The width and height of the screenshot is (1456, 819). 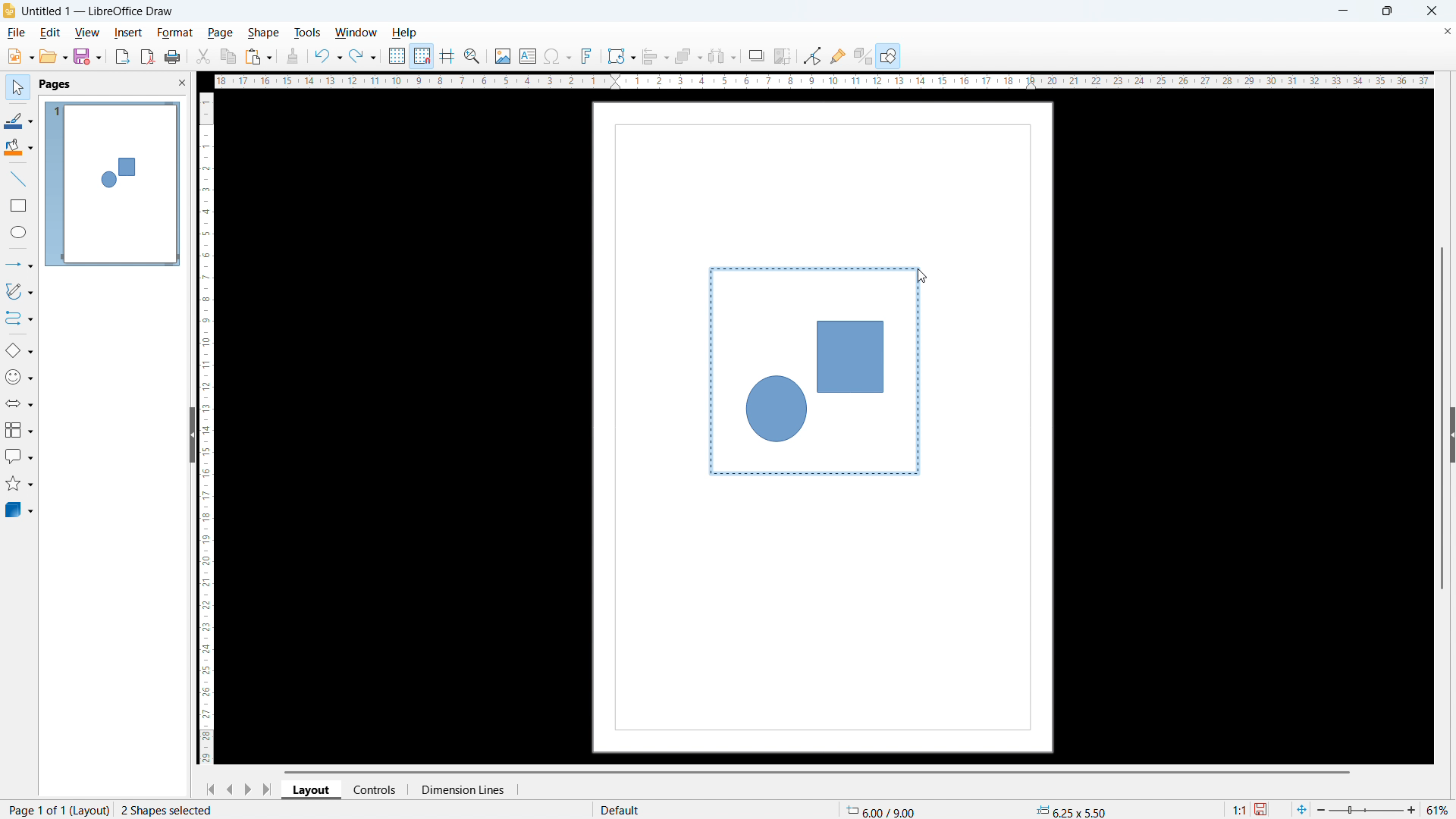 What do you see at coordinates (1447, 30) in the screenshot?
I see `close document` at bounding box center [1447, 30].